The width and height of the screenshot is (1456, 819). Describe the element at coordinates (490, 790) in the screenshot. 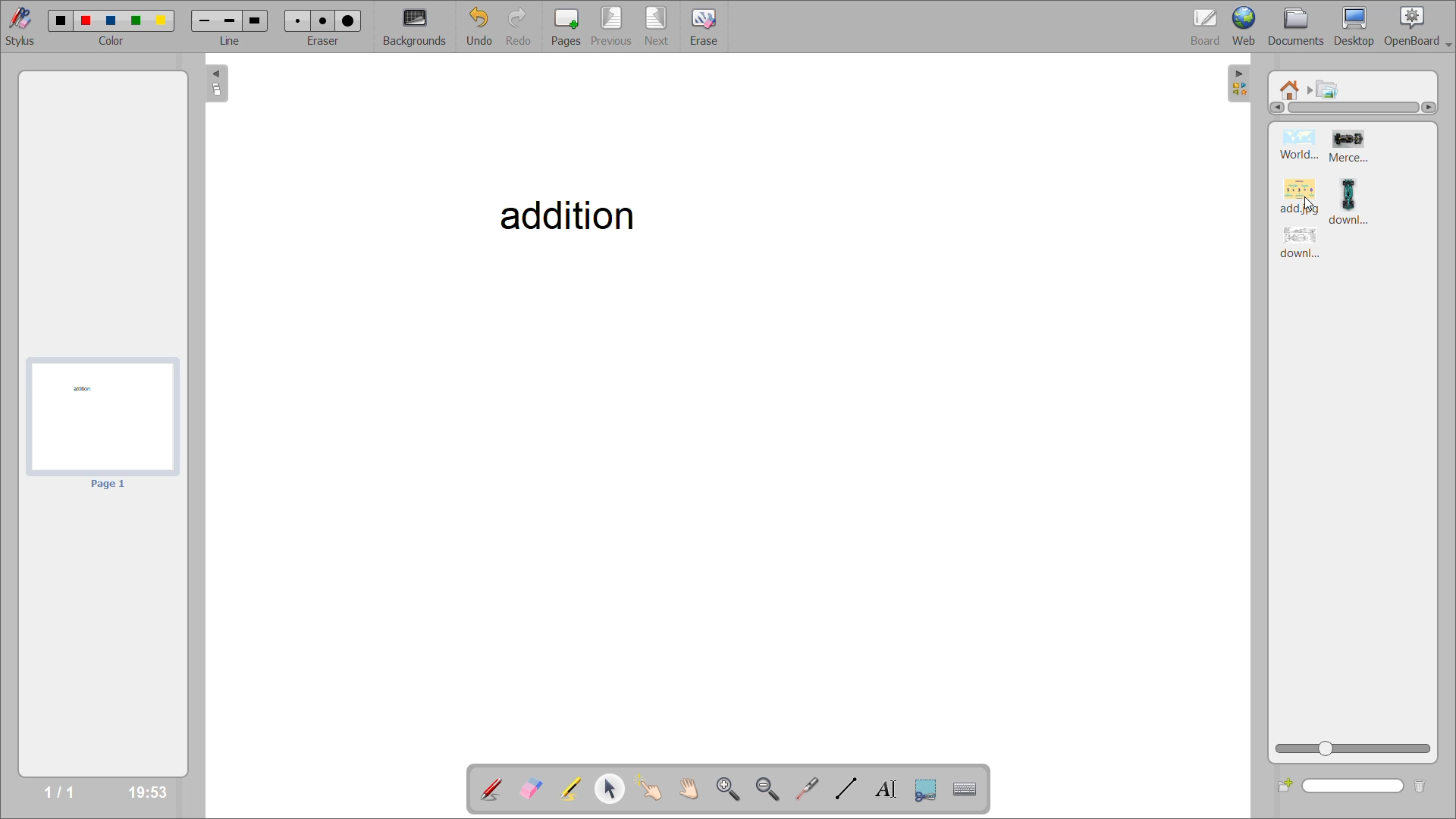

I see `annotate document` at that location.